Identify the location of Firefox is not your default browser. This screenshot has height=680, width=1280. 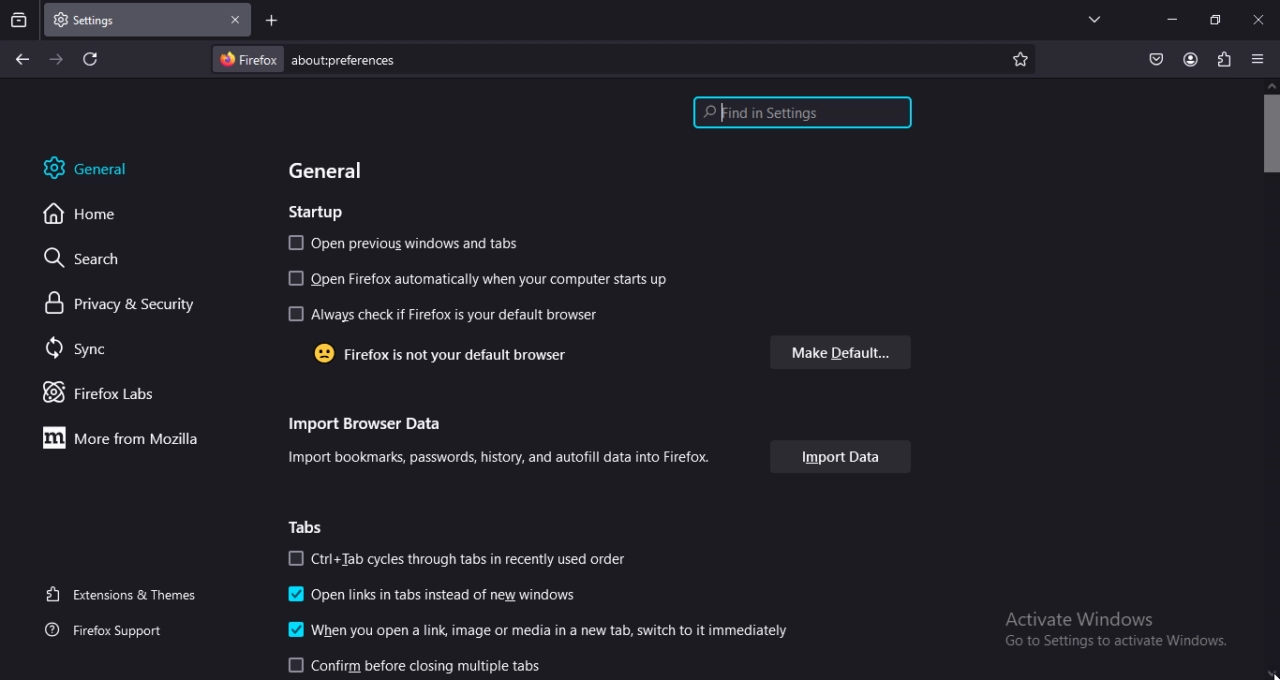
(438, 354).